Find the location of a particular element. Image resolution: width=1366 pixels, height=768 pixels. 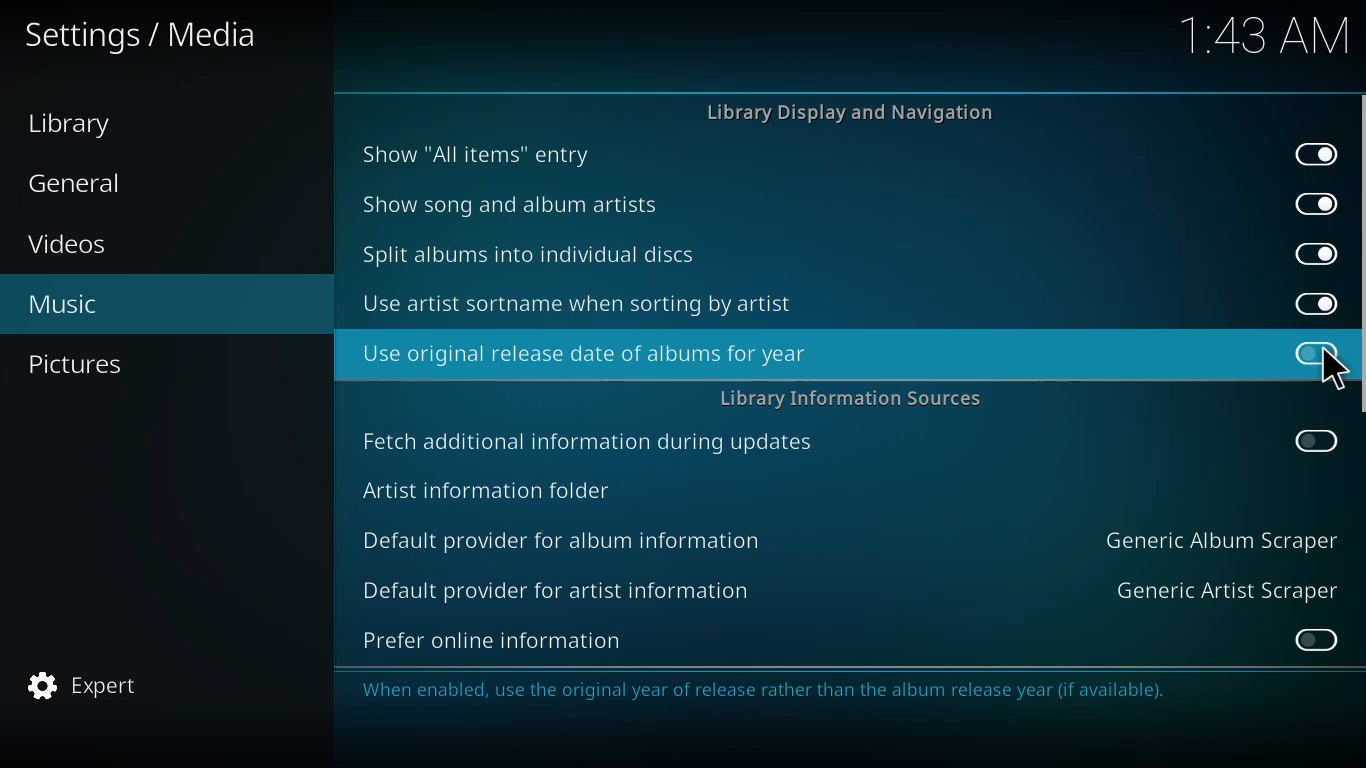

info is located at coordinates (826, 690).